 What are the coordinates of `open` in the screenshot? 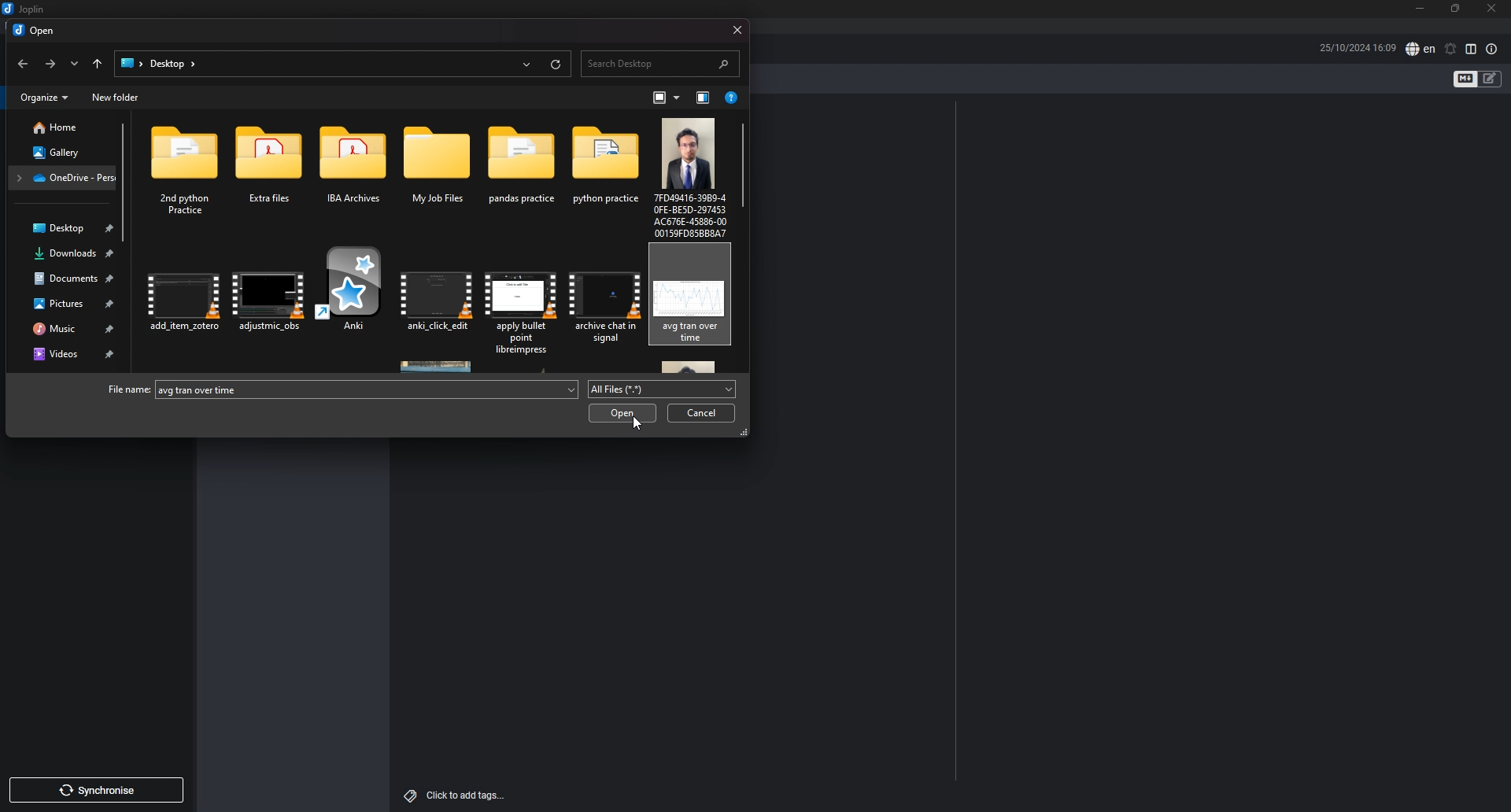 It's located at (623, 413).